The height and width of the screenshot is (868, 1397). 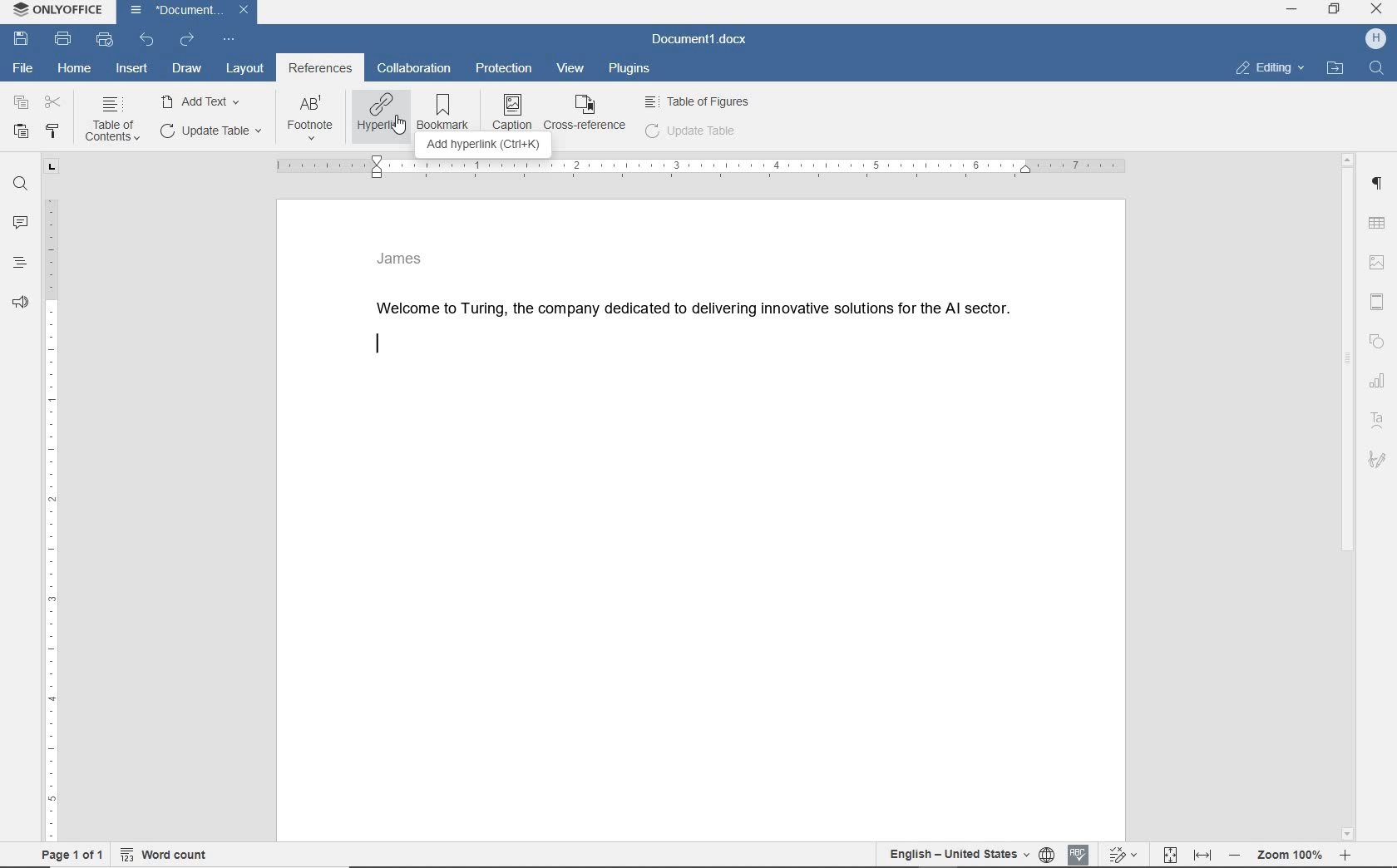 What do you see at coordinates (949, 856) in the screenshot?
I see `English - United States` at bounding box center [949, 856].